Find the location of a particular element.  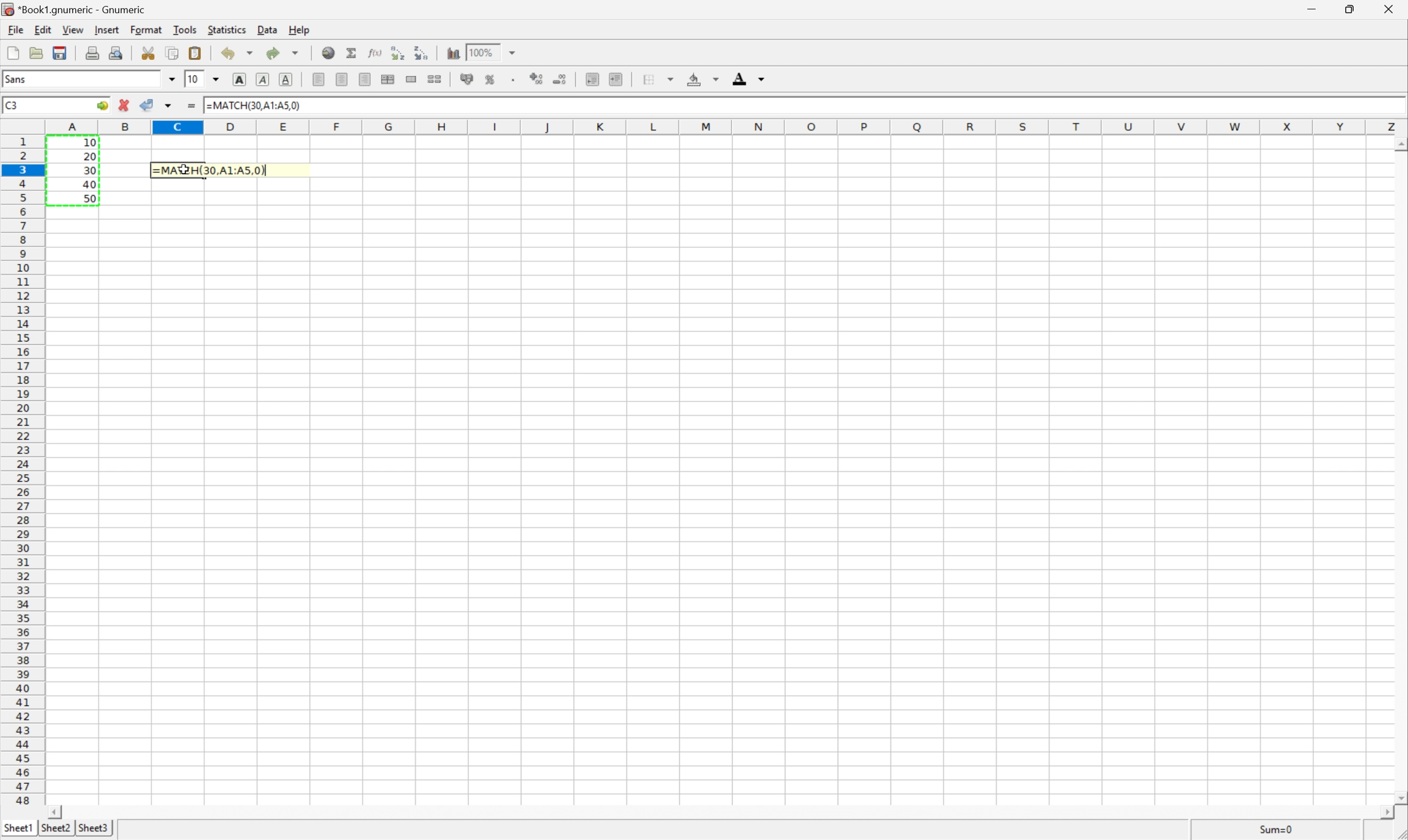

Insert a chart  is located at coordinates (453, 53).